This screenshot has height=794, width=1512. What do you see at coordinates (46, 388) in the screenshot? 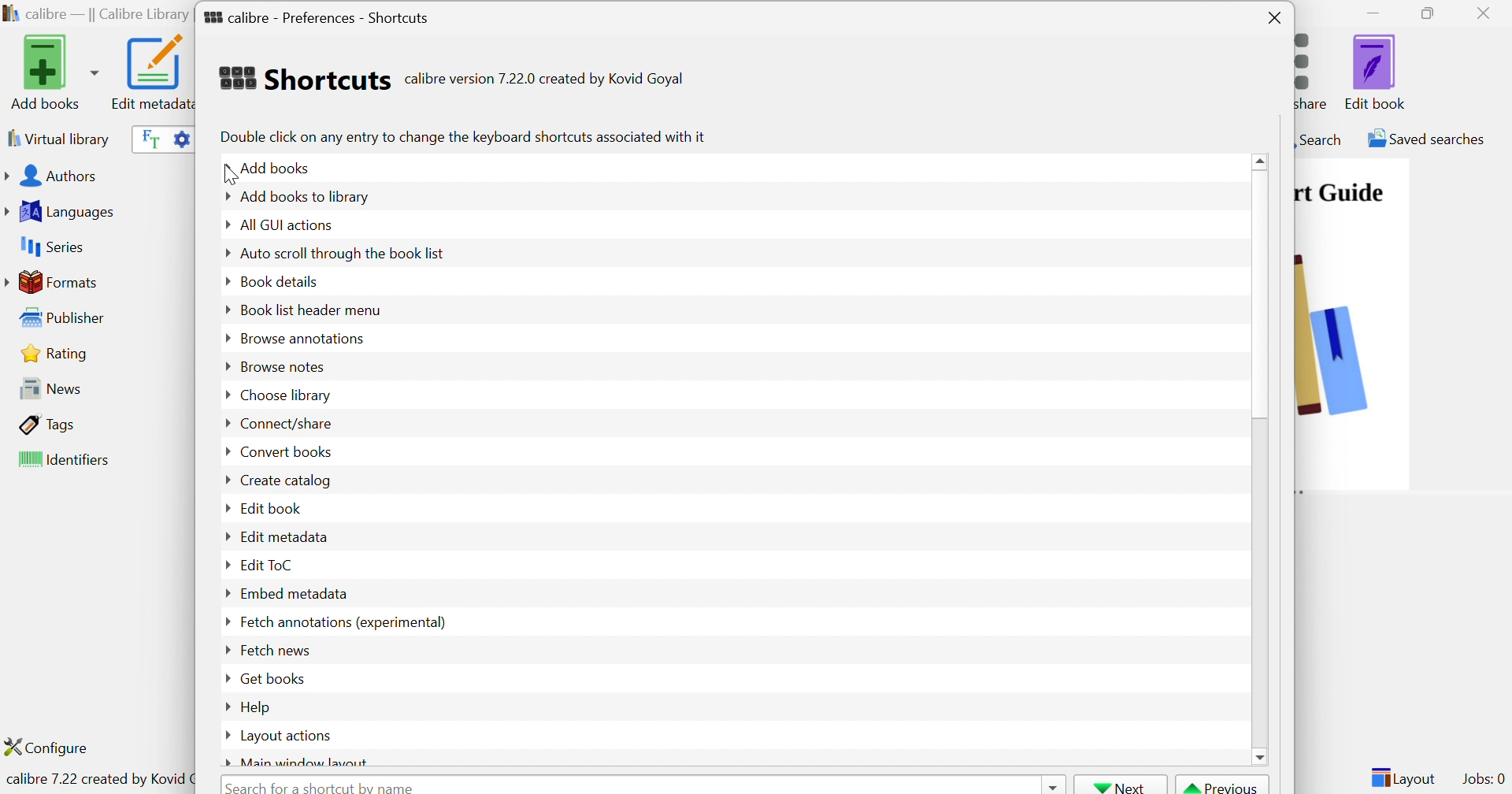
I see `News` at bounding box center [46, 388].